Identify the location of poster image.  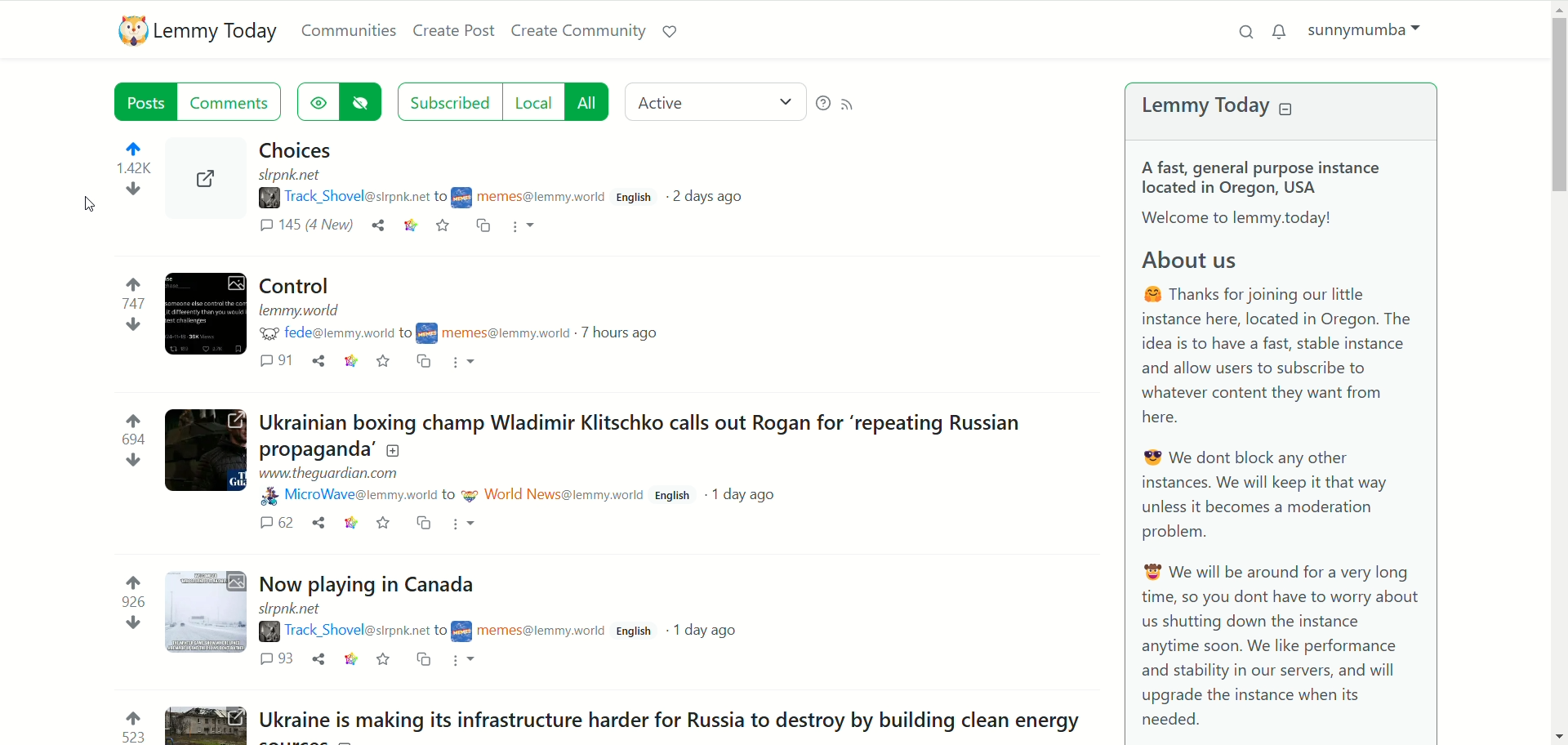
(269, 199).